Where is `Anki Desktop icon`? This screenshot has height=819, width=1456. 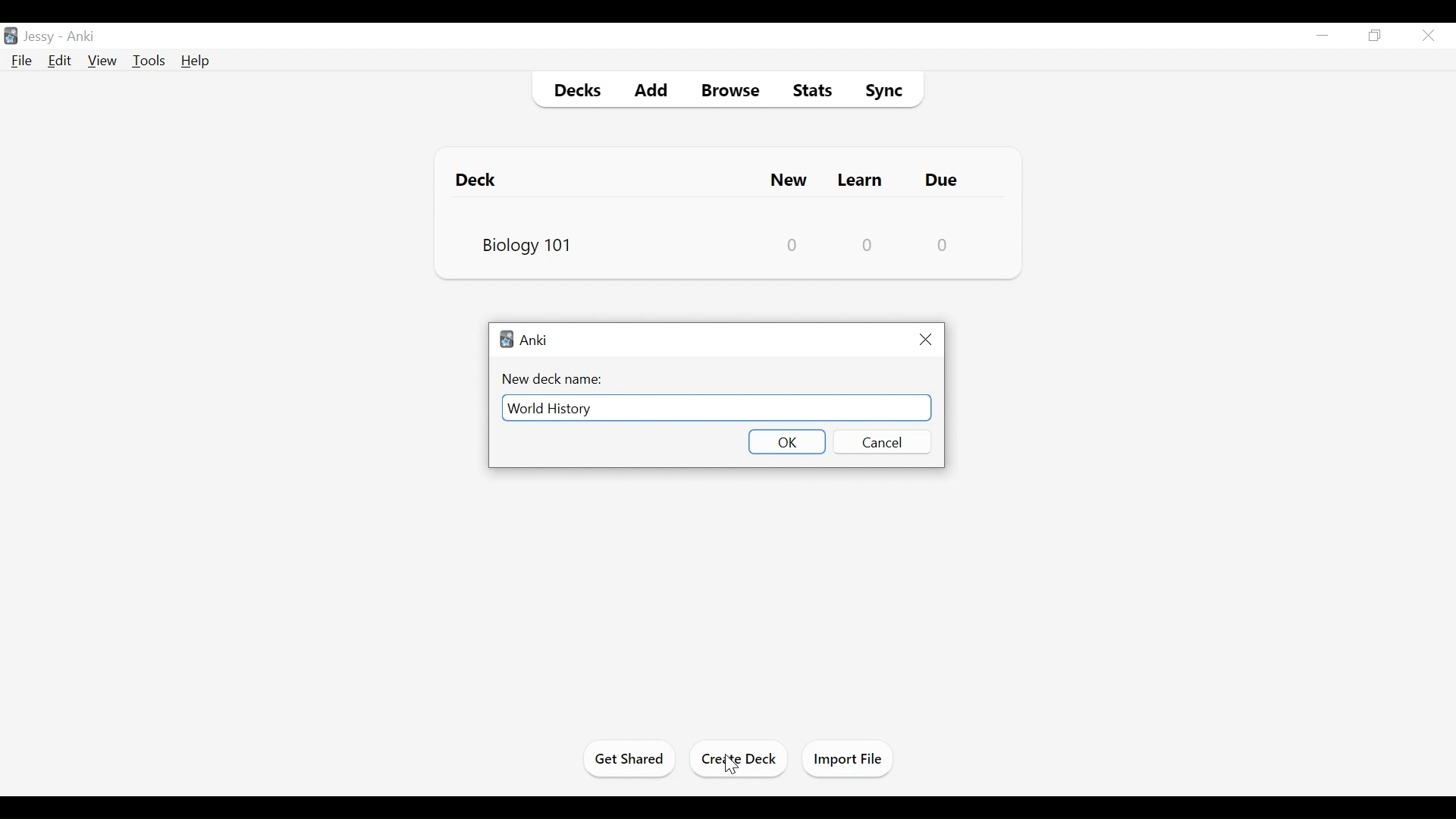
Anki Desktop icon is located at coordinates (12, 36).